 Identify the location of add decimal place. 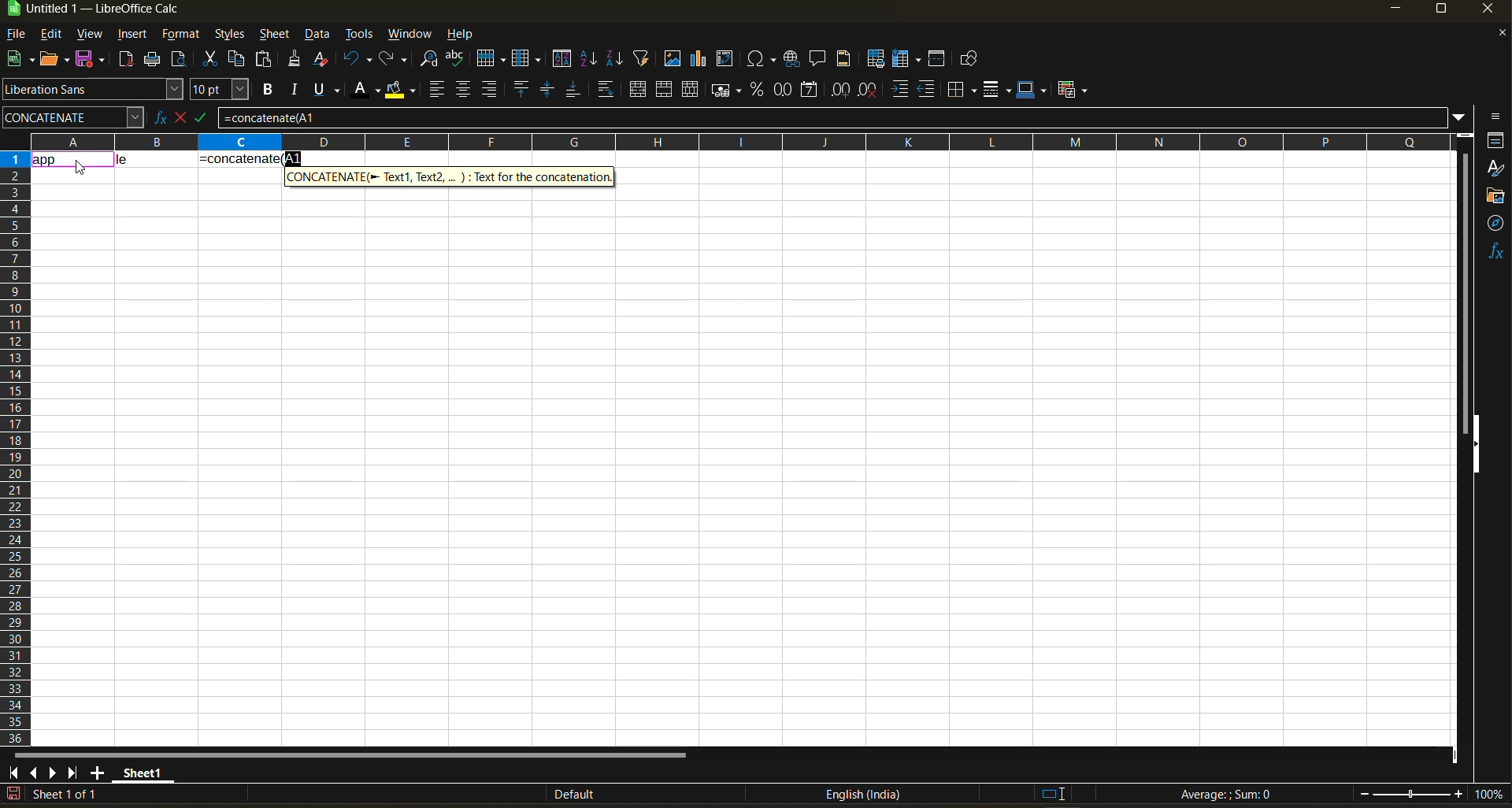
(840, 91).